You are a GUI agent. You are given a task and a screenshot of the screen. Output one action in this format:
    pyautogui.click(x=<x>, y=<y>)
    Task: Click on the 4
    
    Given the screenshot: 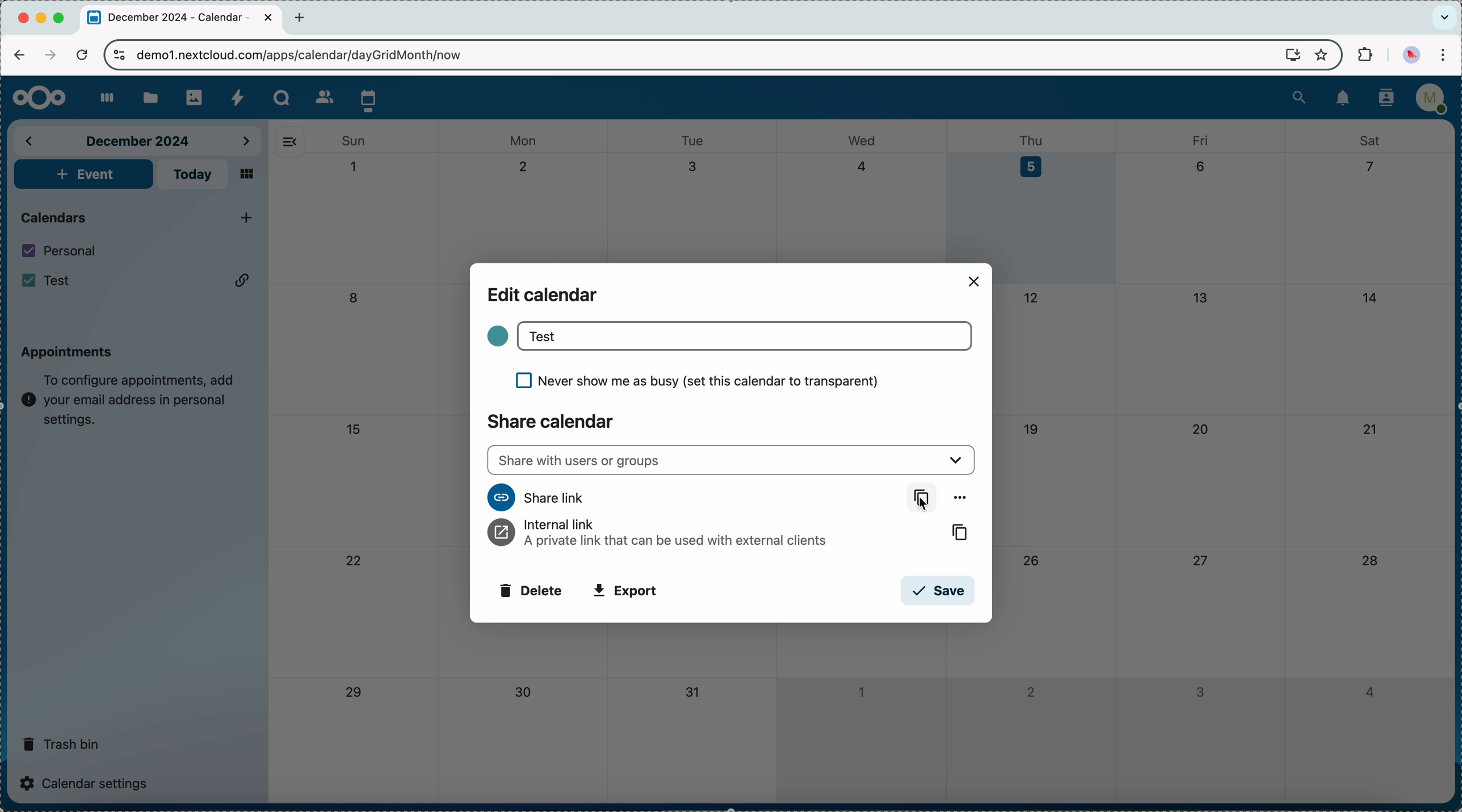 What is the action you would take?
    pyautogui.click(x=863, y=166)
    